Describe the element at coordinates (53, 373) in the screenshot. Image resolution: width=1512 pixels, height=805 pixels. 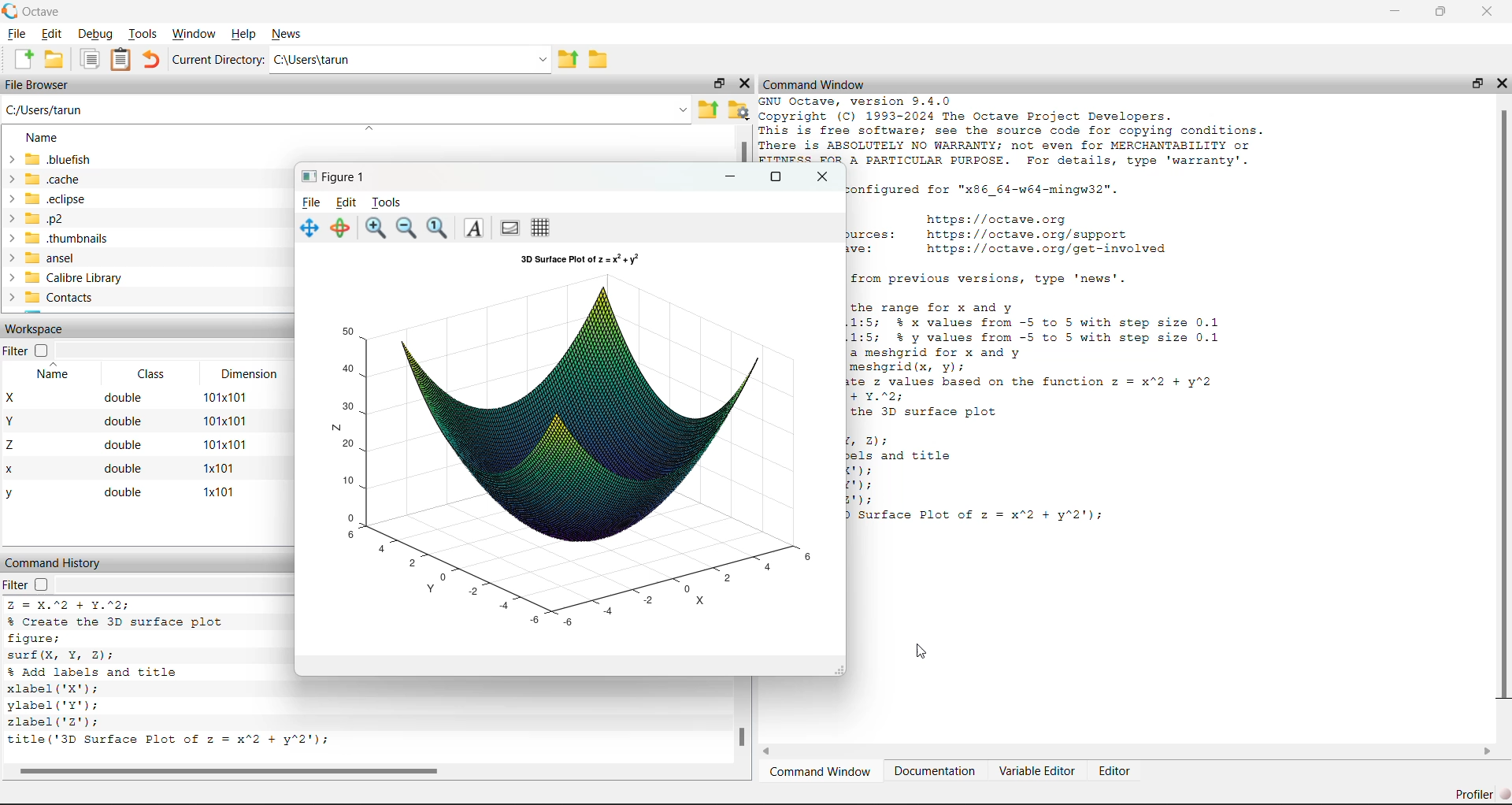
I see `Name` at that location.